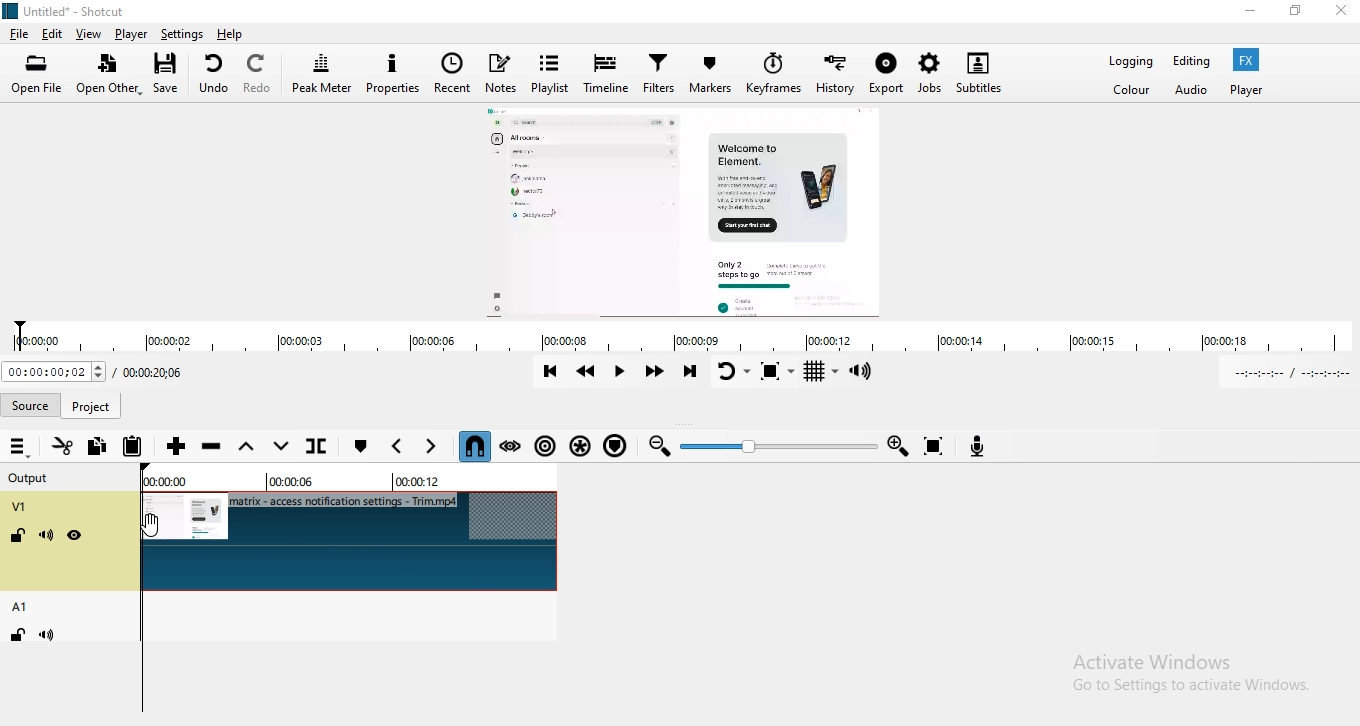  I want to click on Toggle player looping , so click(734, 375).